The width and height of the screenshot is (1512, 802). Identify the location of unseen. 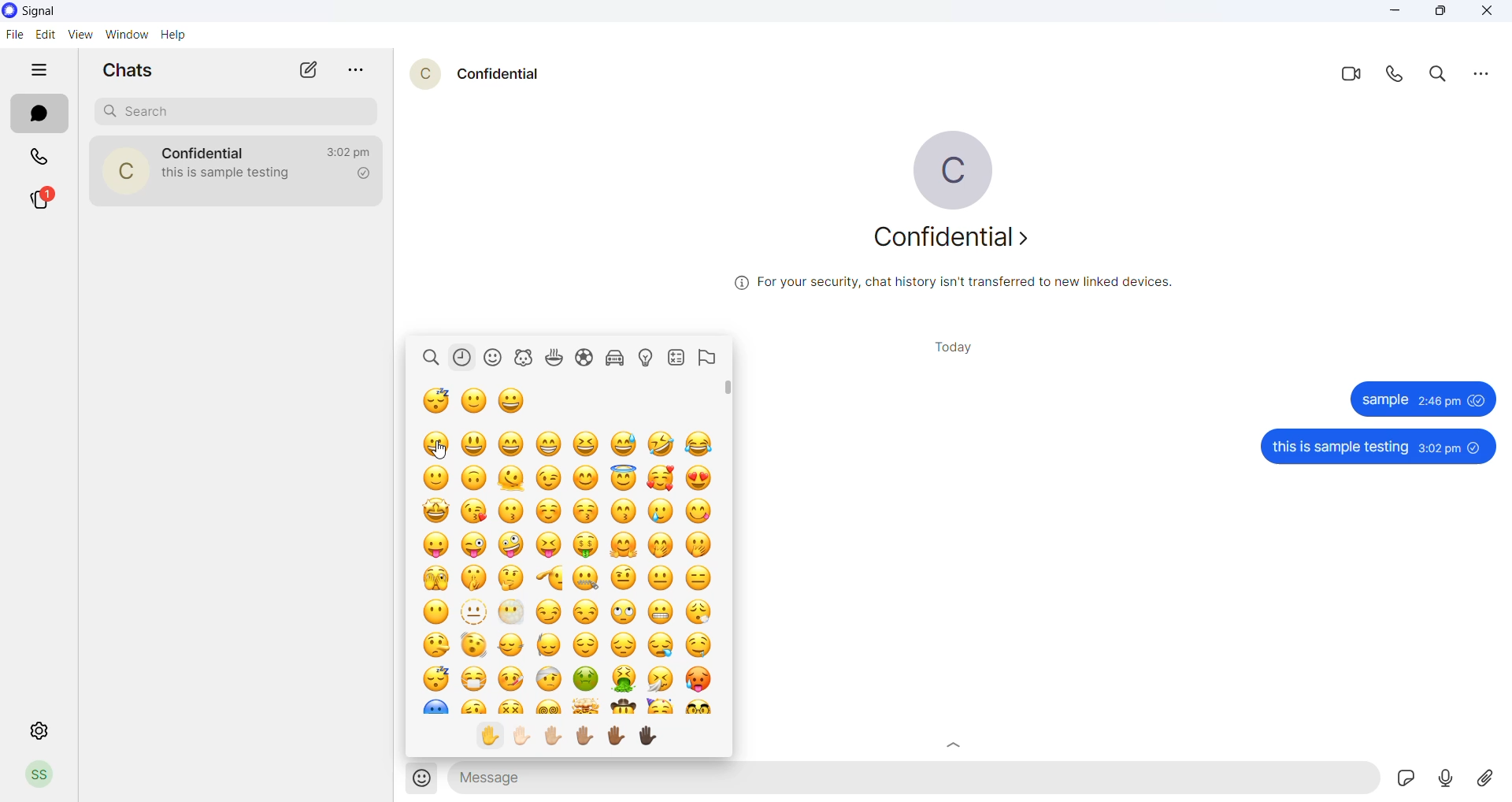
(1477, 447).